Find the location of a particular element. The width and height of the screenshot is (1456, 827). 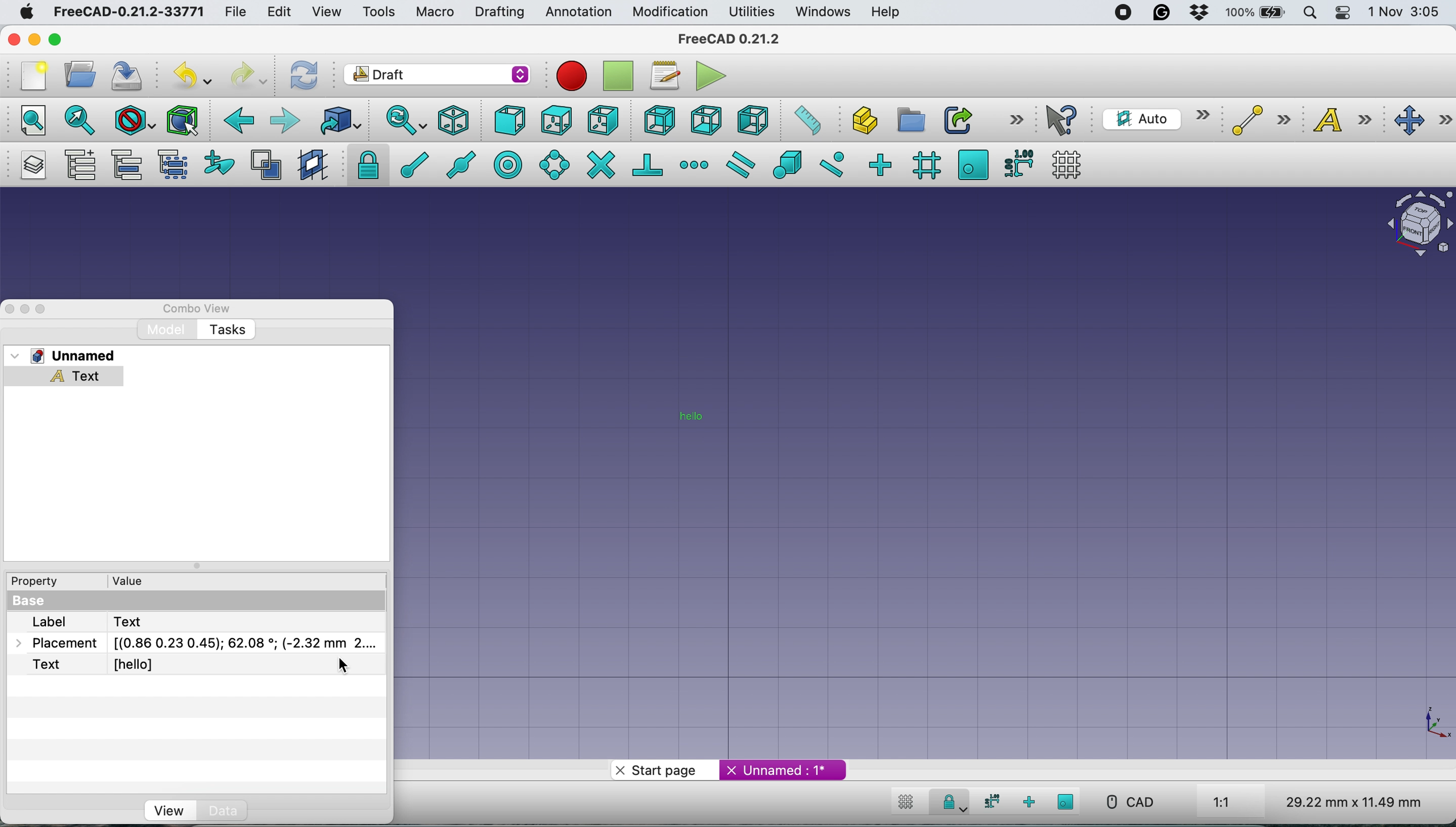

save is located at coordinates (126, 73).